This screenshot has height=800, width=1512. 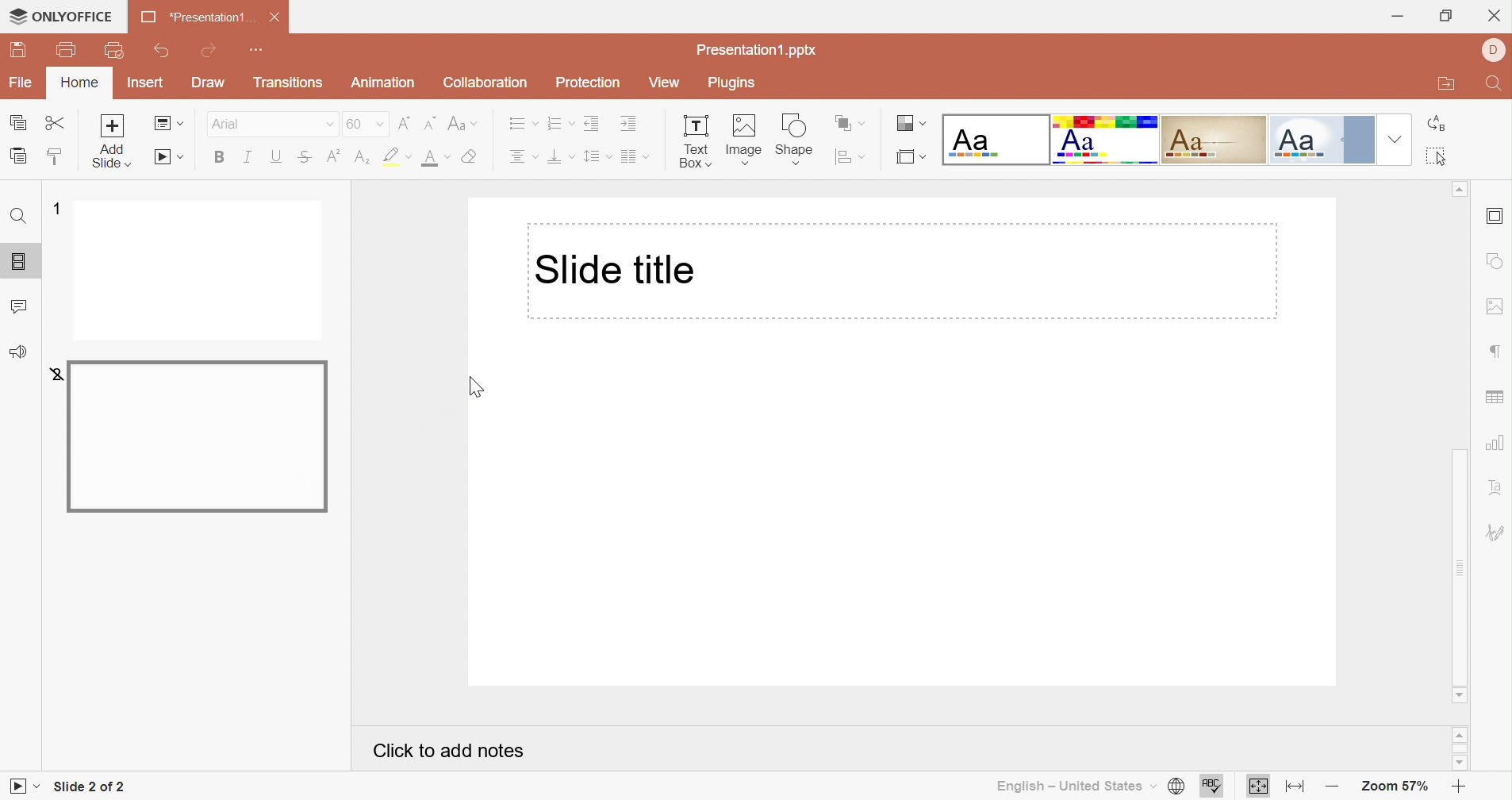 I want to click on Increase indent, so click(x=627, y=124).